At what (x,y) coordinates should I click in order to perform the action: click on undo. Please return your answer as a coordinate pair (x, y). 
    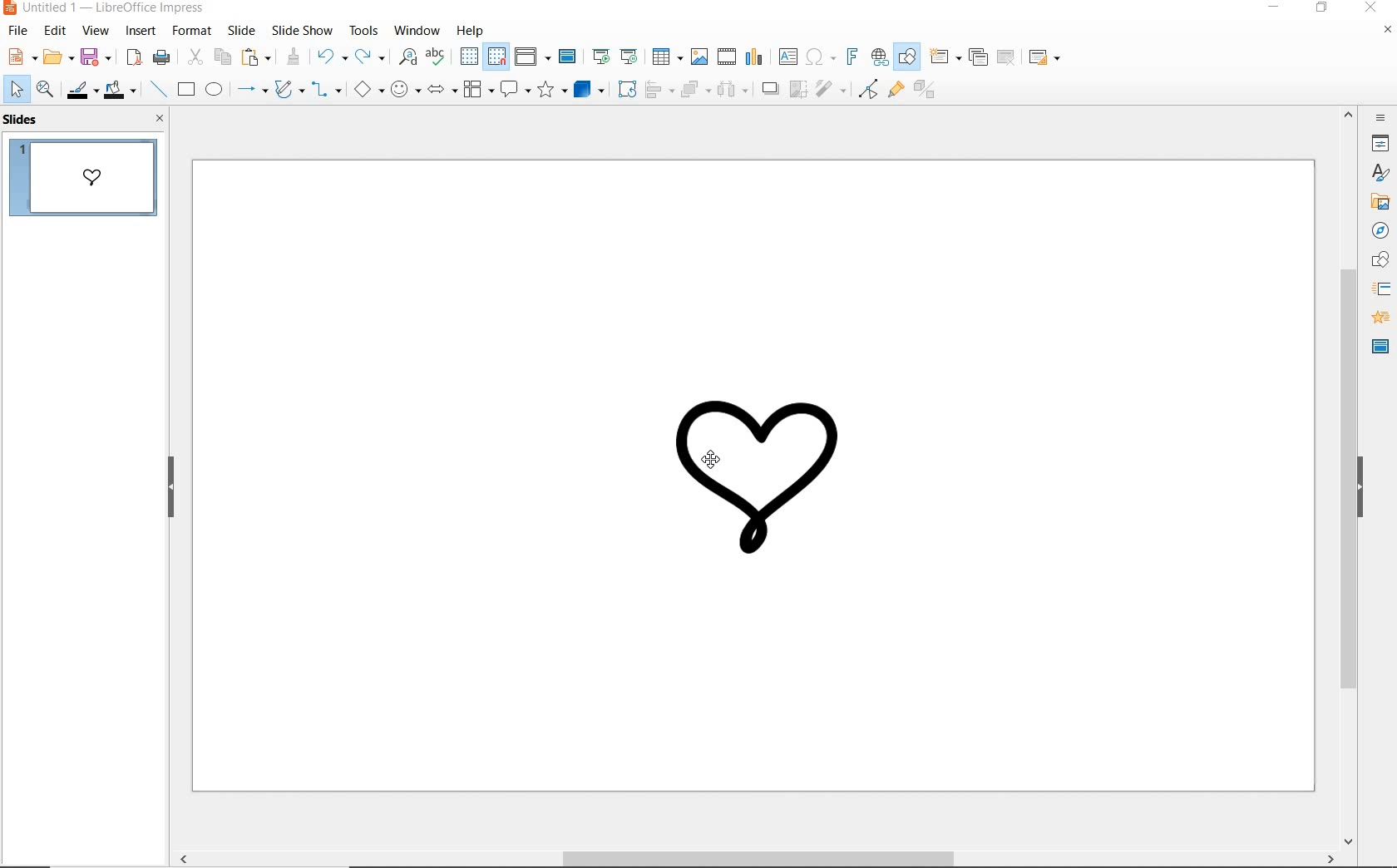
    Looking at the image, I should click on (331, 57).